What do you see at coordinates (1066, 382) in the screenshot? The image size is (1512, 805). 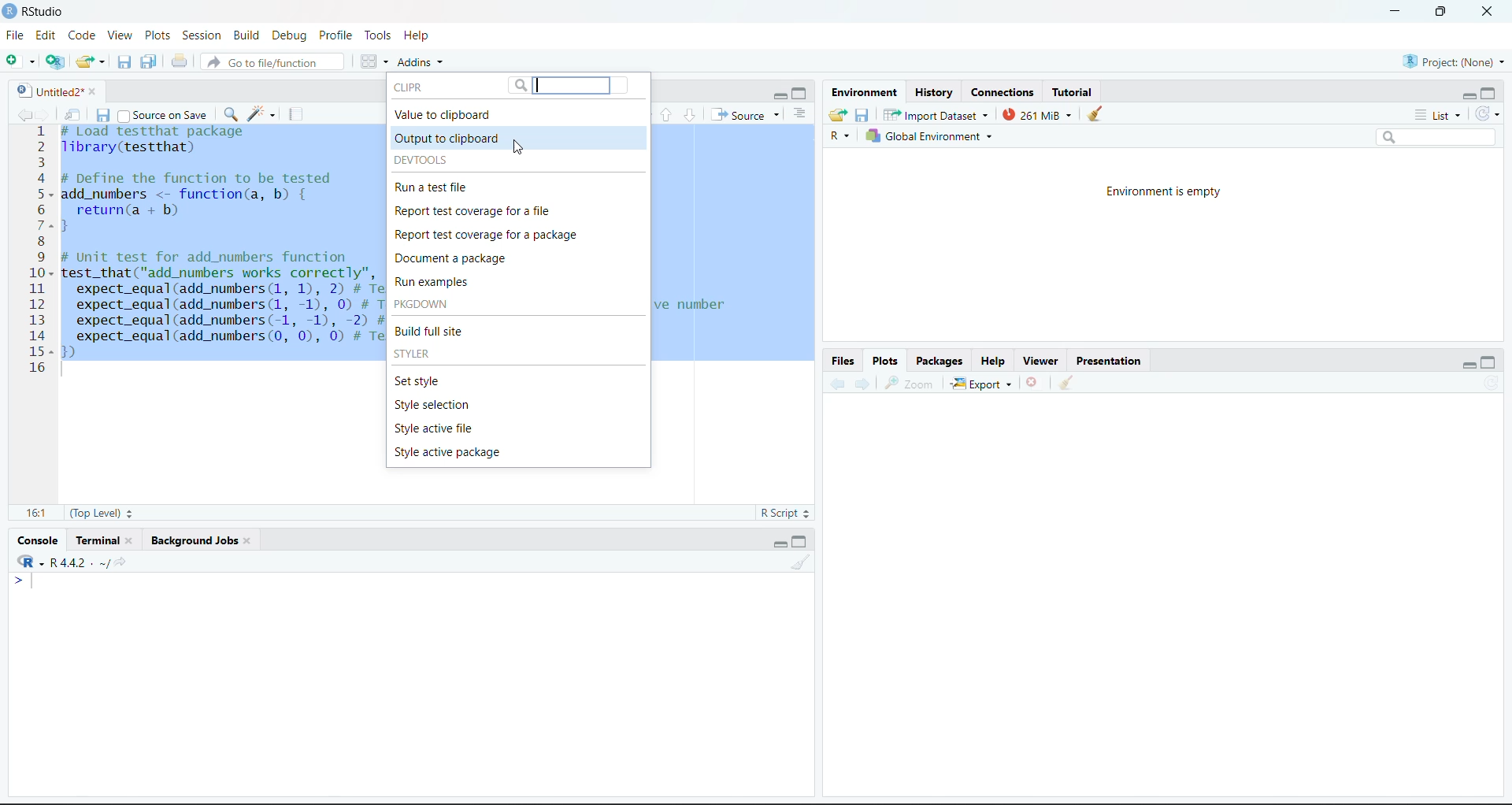 I see `Clear workspace` at bounding box center [1066, 382].